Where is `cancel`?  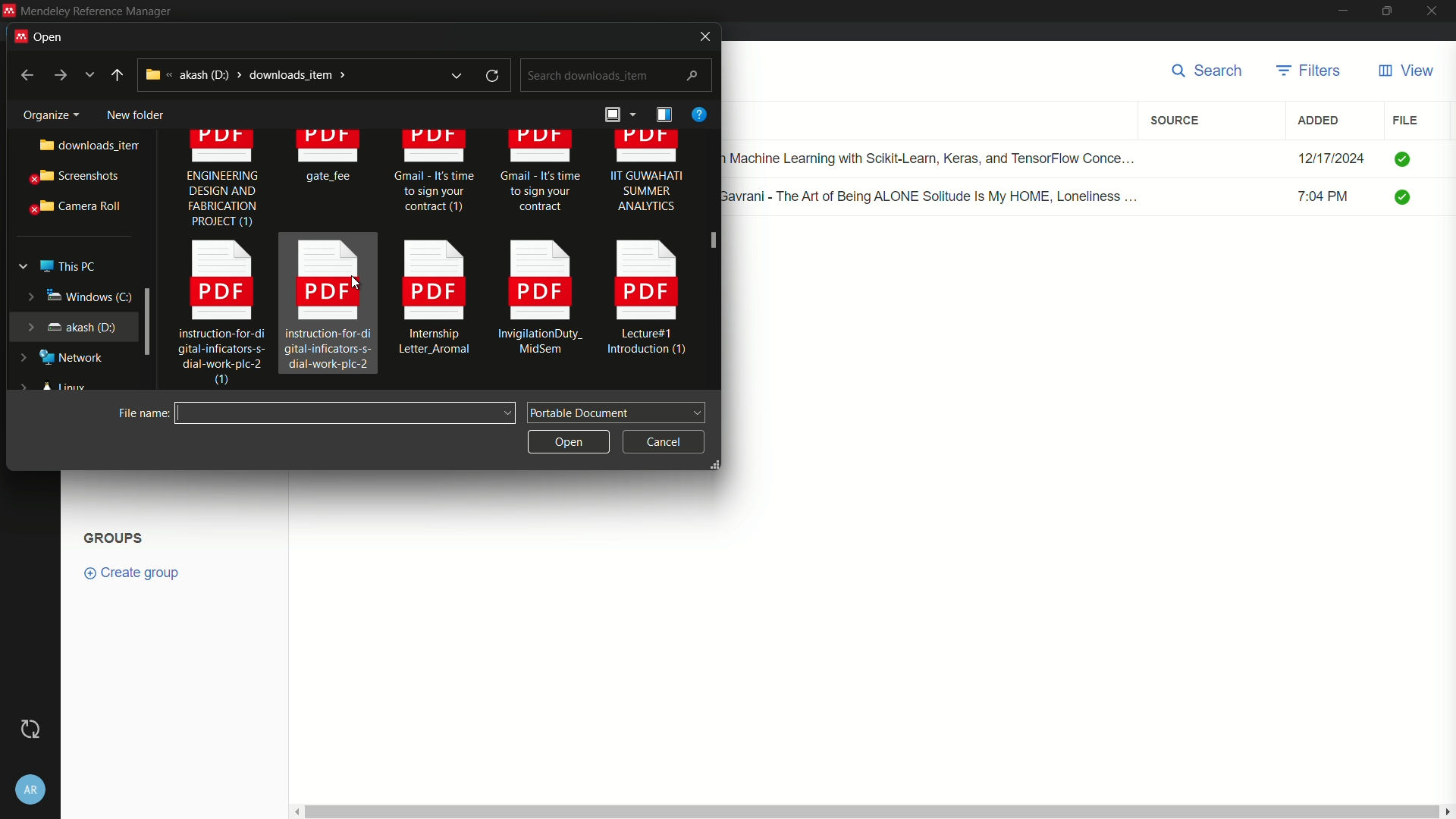 cancel is located at coordinates (664, 439).